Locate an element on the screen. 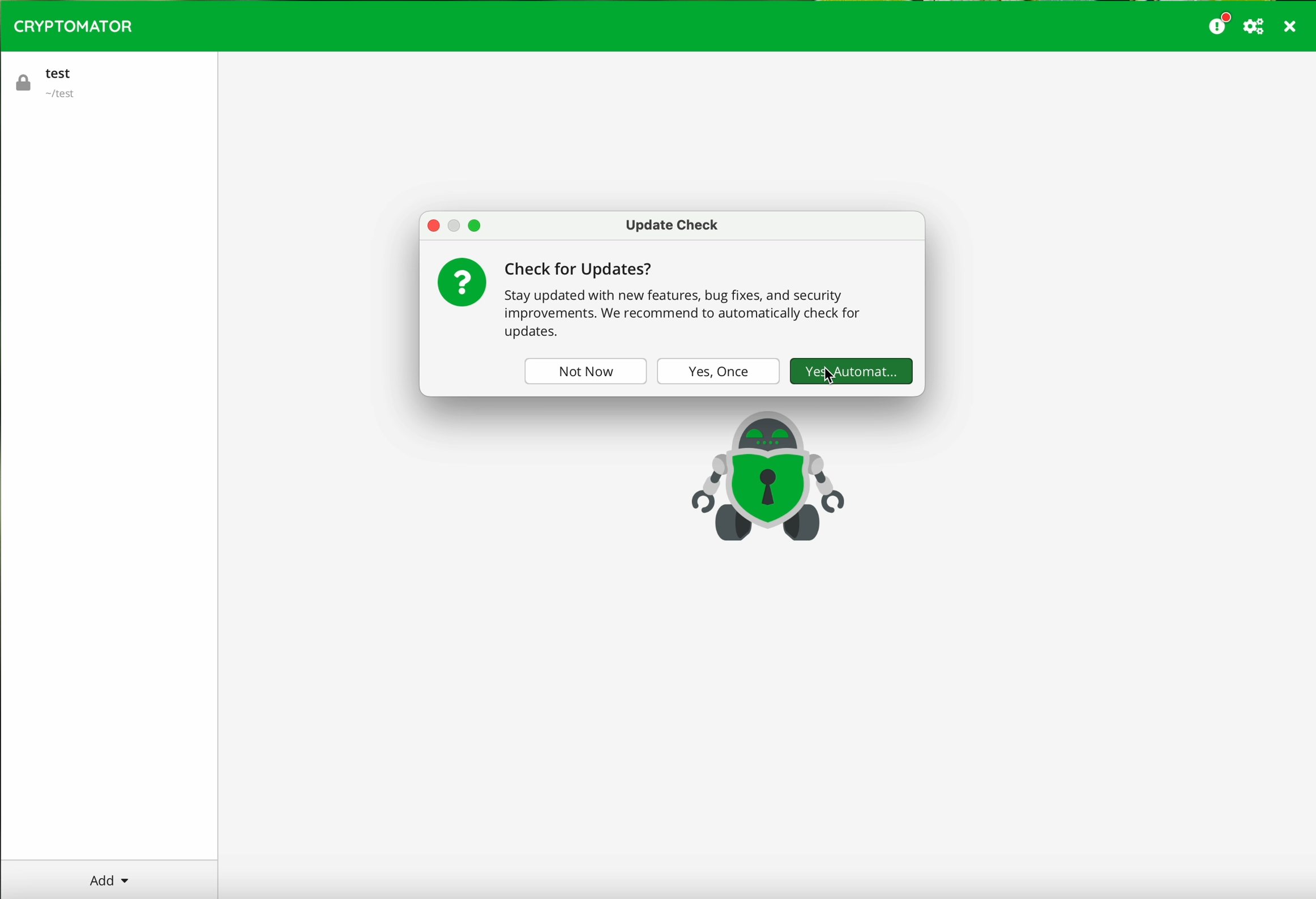 The image size is (1316, 899). Yes Once is located at coordinates (718, 372).